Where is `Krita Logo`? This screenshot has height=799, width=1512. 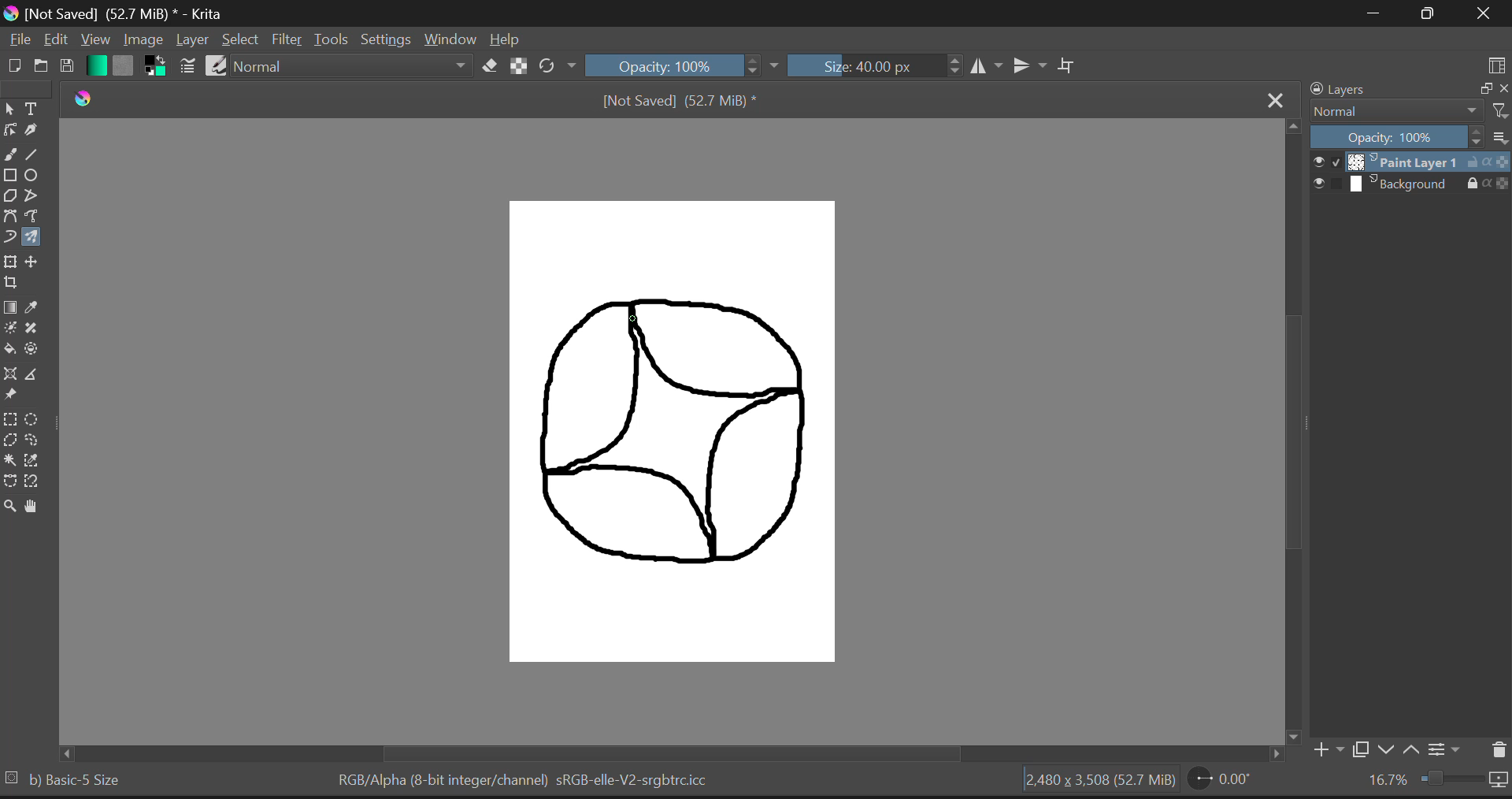 Krita Logo is located at coordinates (82, 98).